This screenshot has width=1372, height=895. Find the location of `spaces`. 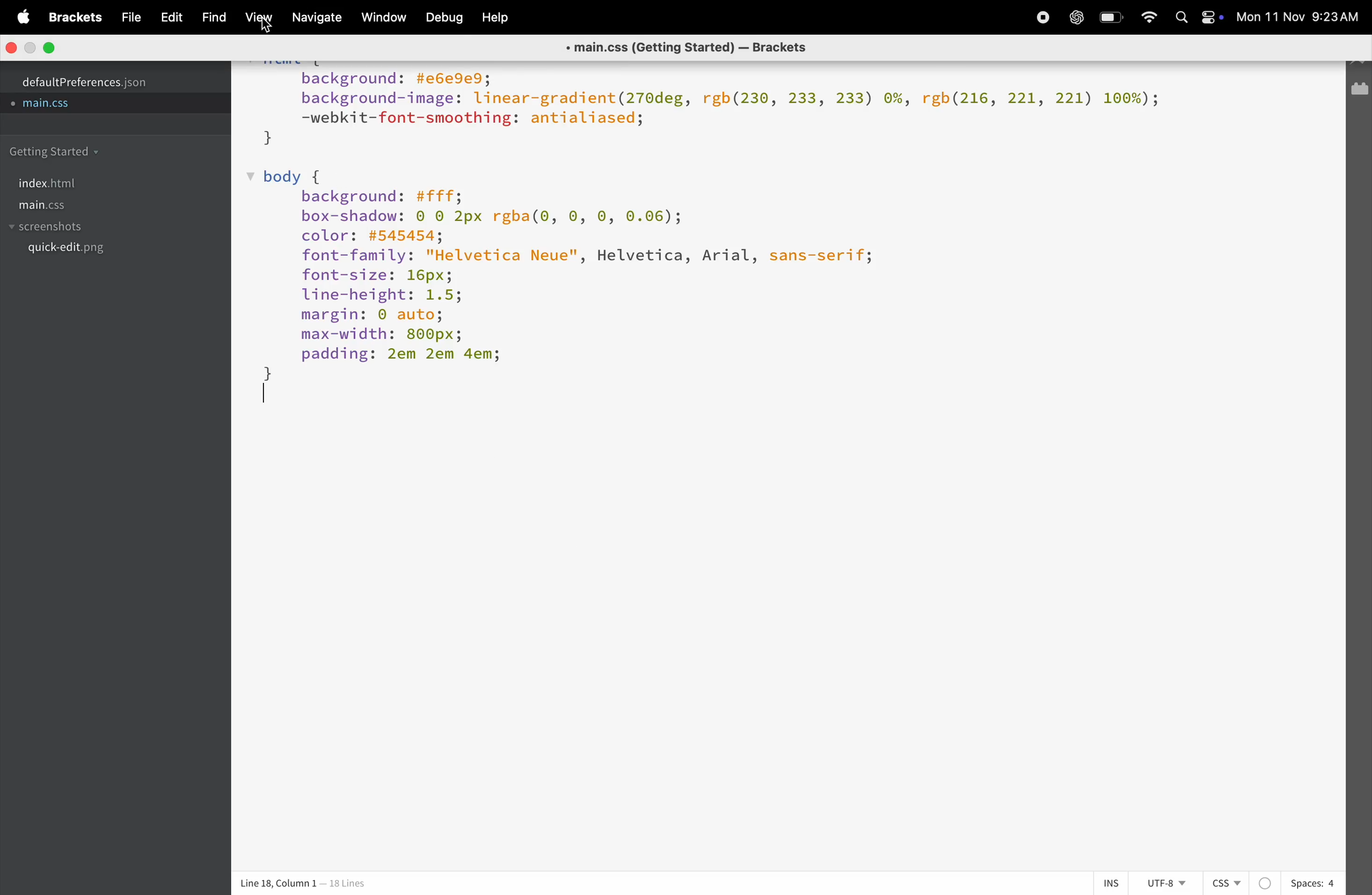

spaces is located at coordinates (1313, 883).